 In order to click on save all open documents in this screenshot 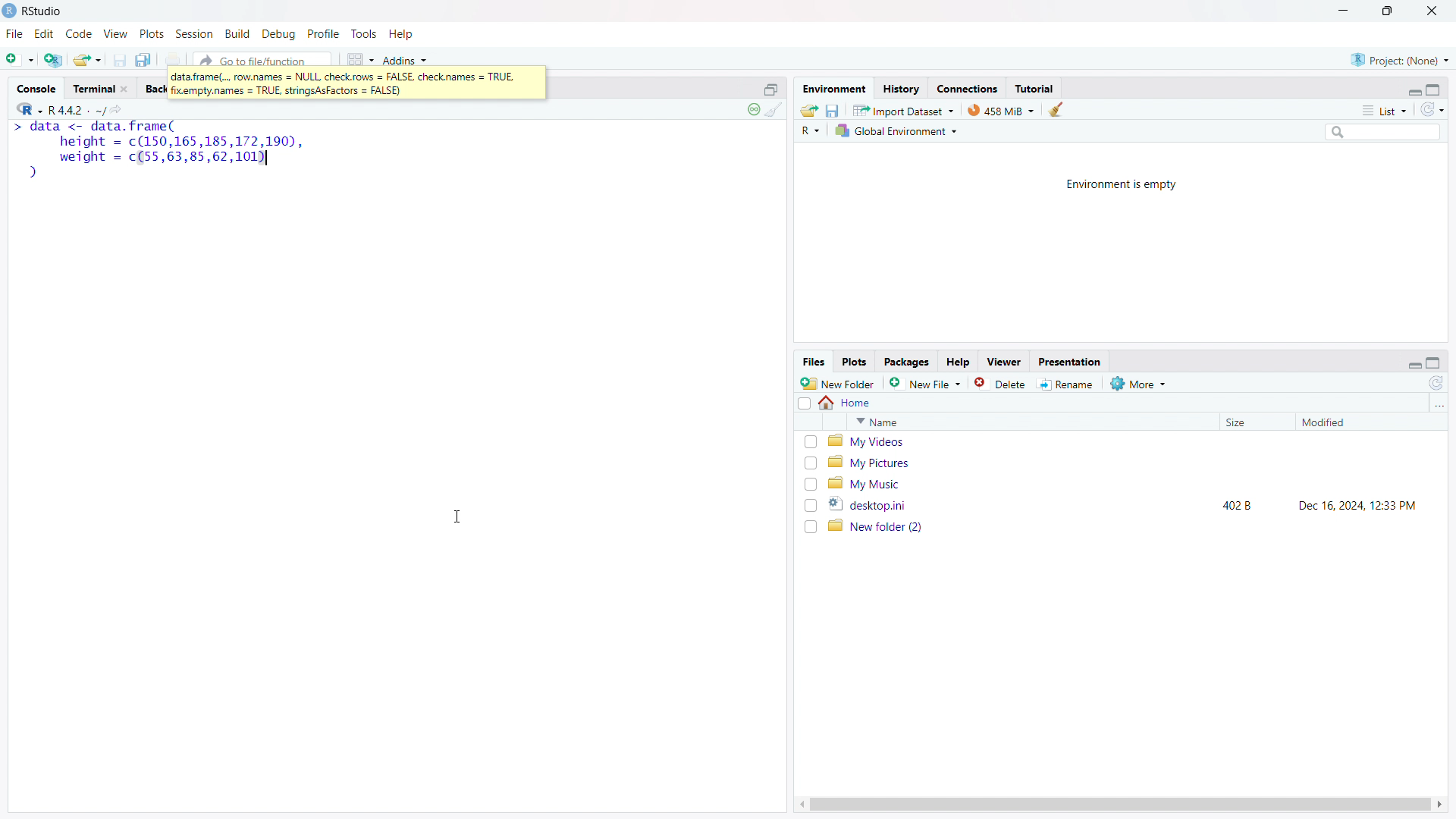, I will do `click(144, 59)`.